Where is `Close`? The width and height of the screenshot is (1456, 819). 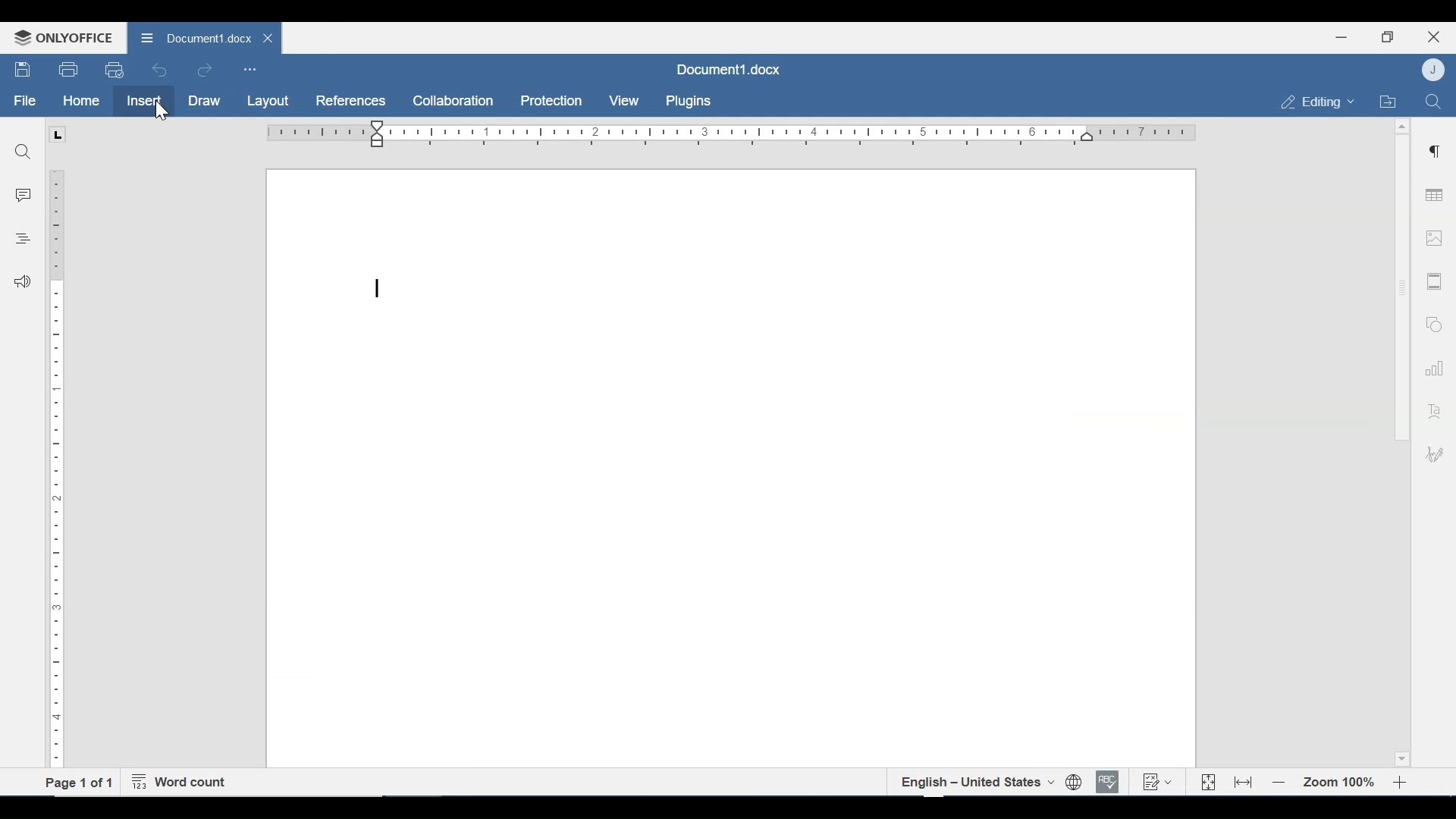
Close is located at coordinates (1434, 35).